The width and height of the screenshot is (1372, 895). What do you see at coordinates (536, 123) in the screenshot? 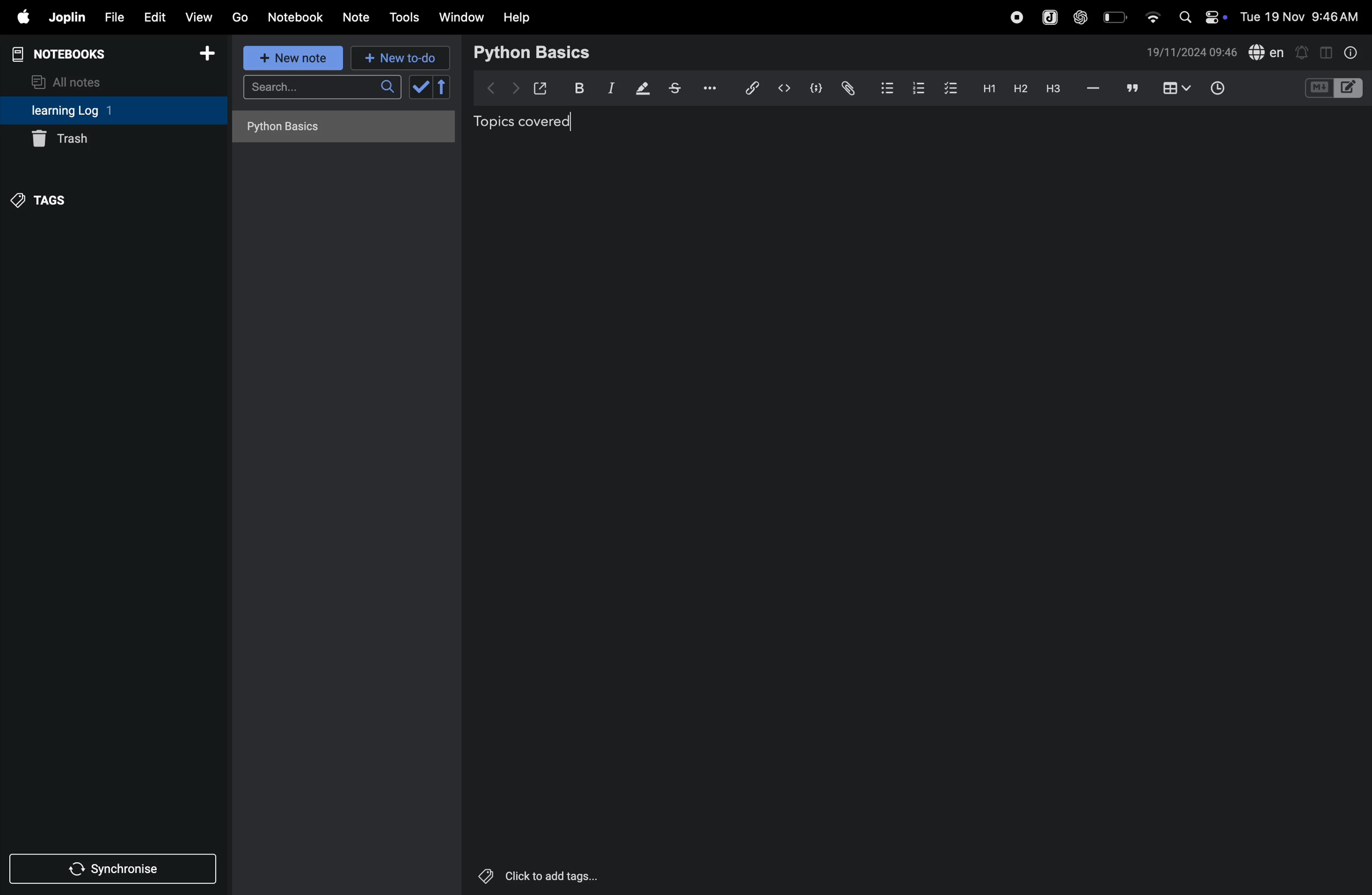
I see `topics covered` at bounding box center [536, 123].